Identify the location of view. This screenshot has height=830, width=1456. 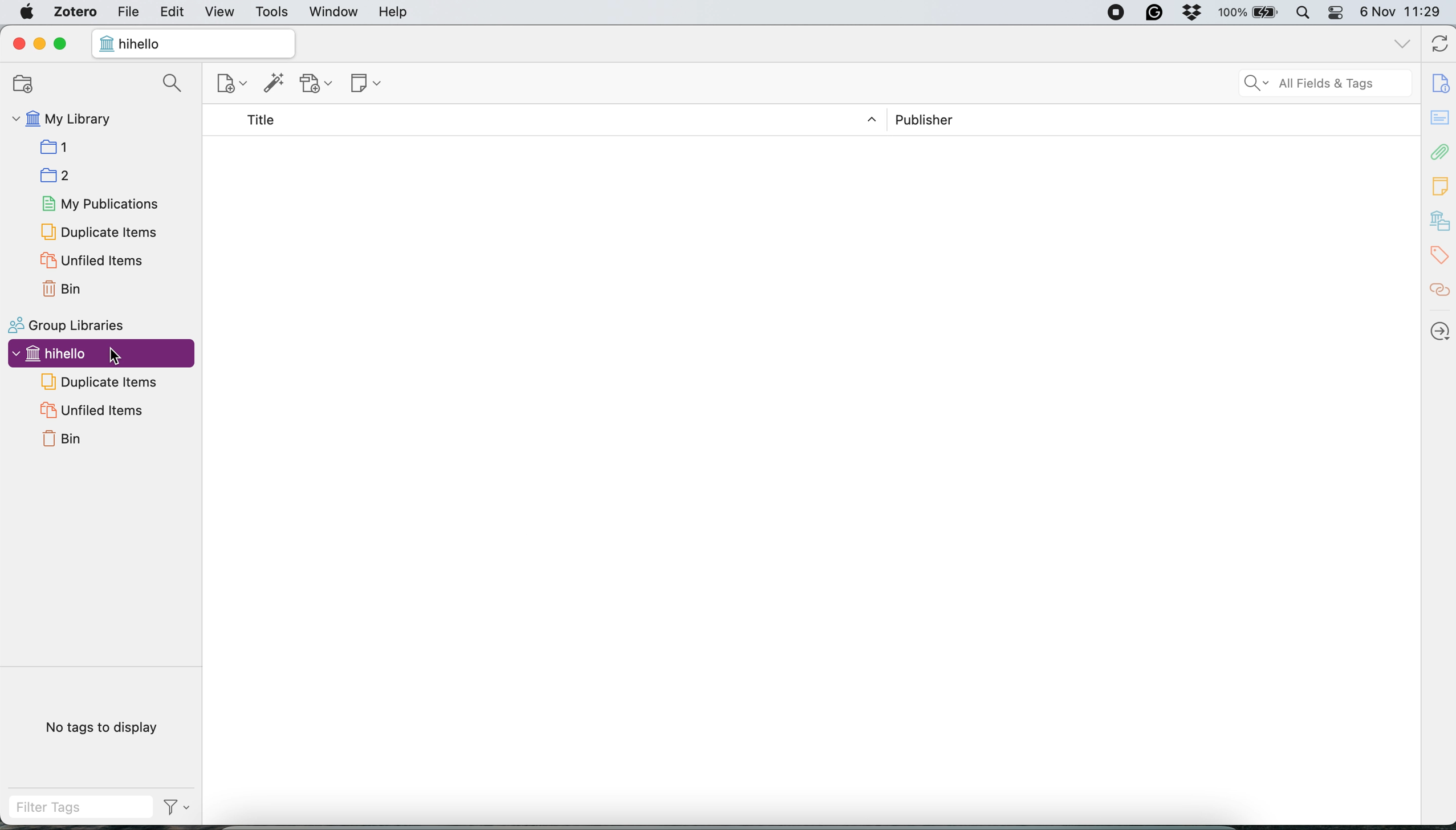
(221, 11).